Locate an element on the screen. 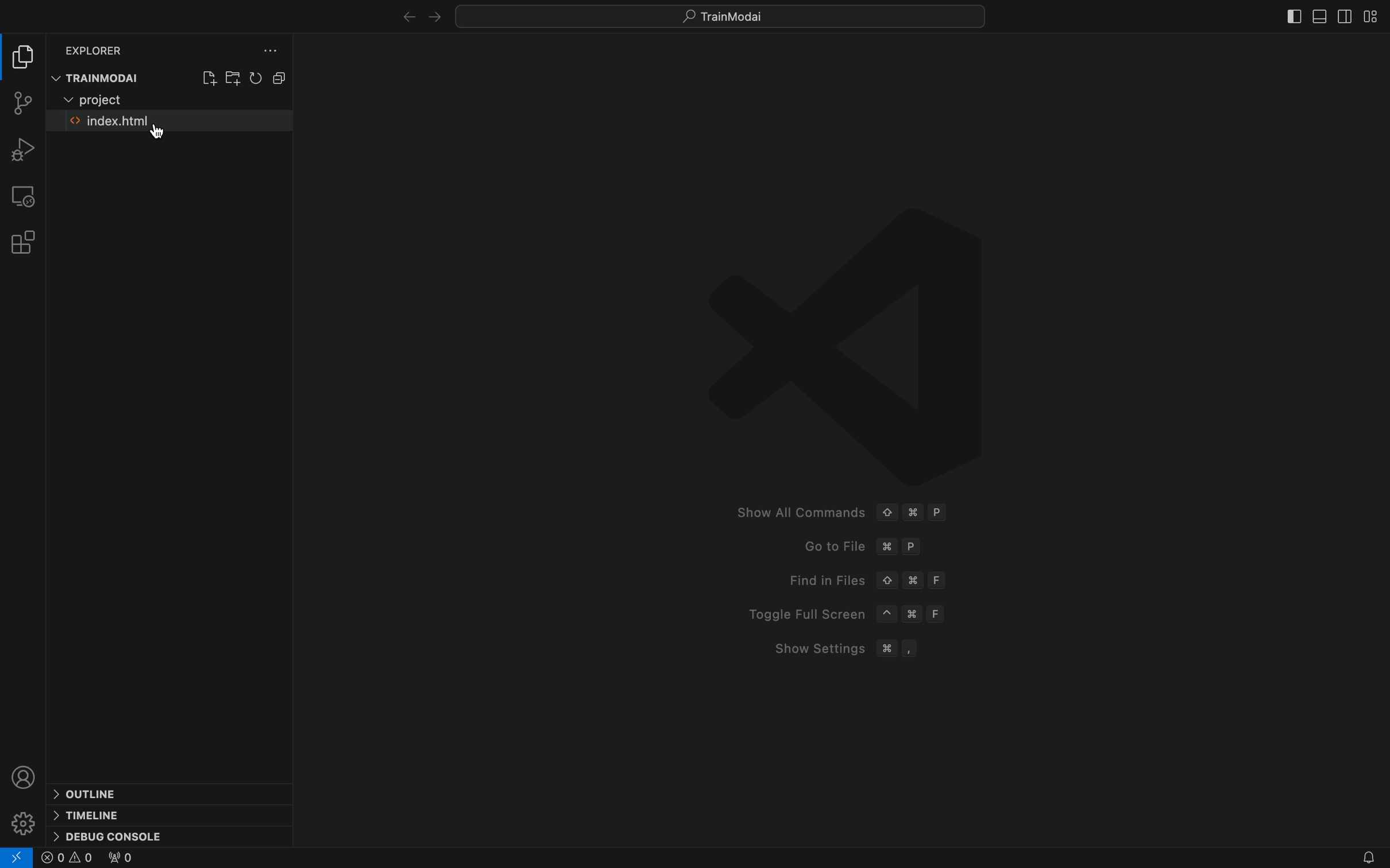 Image resolution: width=1390 pixels, height=868 pixels. copy  is located at coordinates (287, 77).